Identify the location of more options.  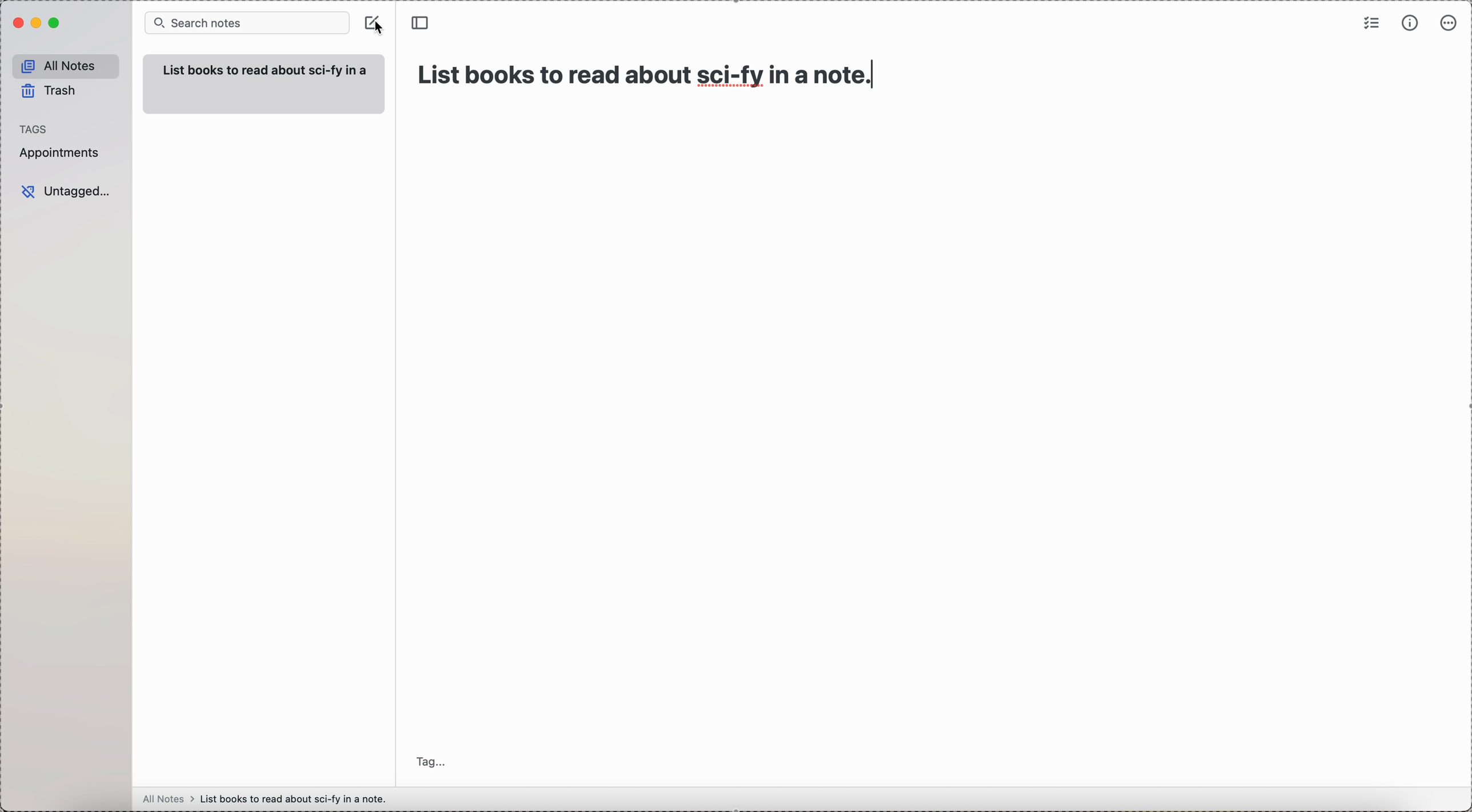
(1447, 24).